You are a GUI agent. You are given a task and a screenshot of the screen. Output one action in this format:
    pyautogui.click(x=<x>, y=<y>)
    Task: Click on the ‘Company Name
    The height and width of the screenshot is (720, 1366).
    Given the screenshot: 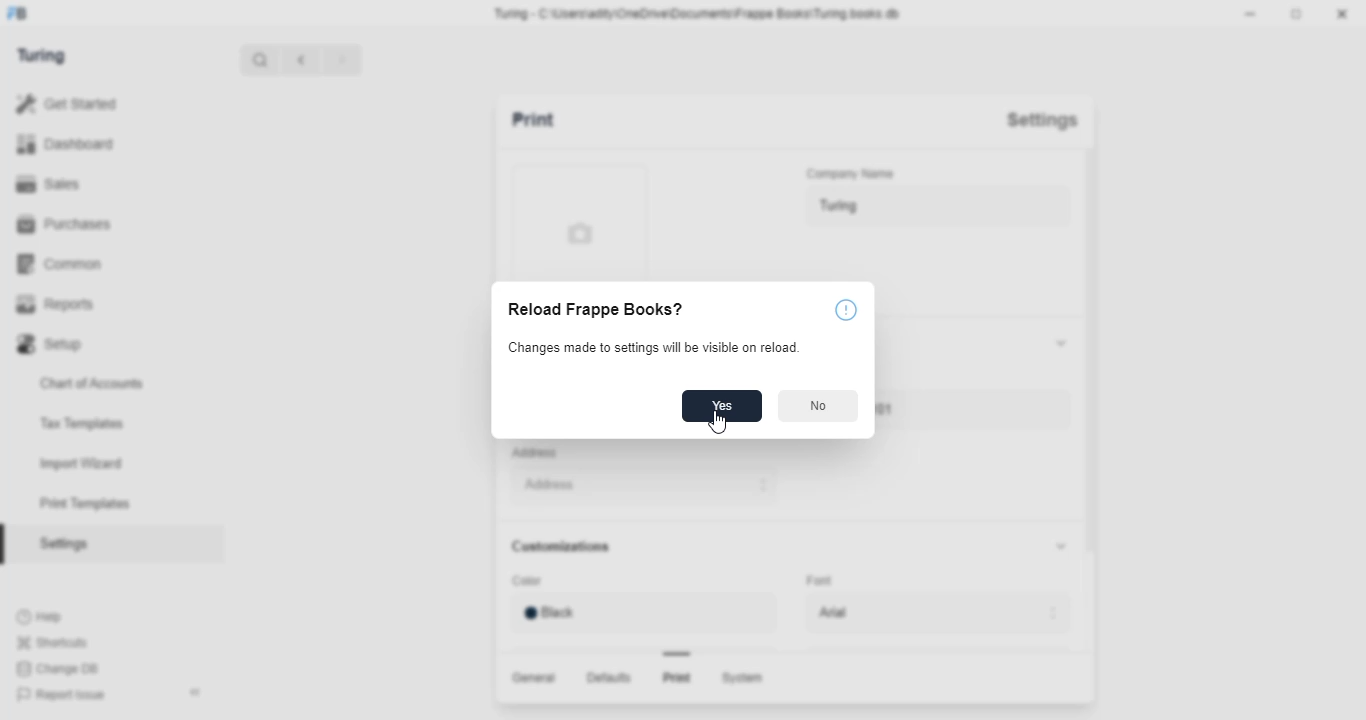 What is the action you would take?
    pyautogui.click(x=853, y=175)
    